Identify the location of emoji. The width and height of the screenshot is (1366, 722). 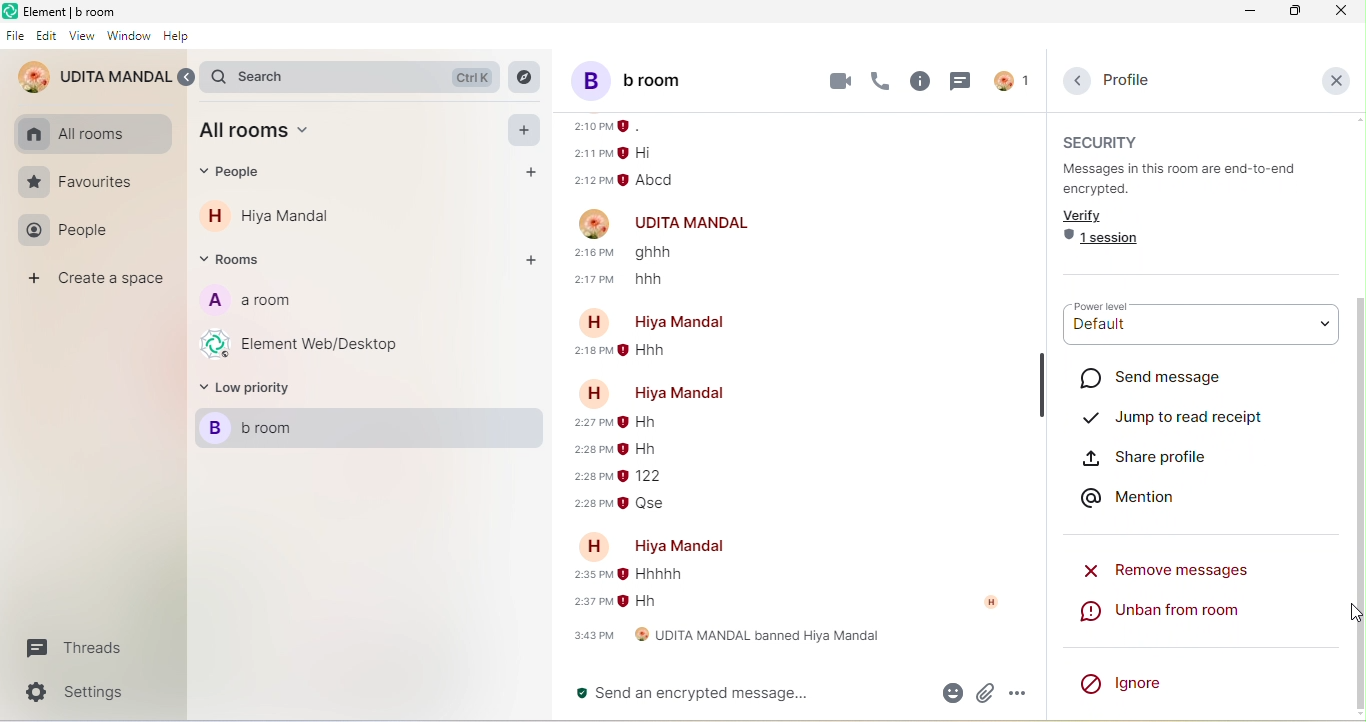
(949, 692).